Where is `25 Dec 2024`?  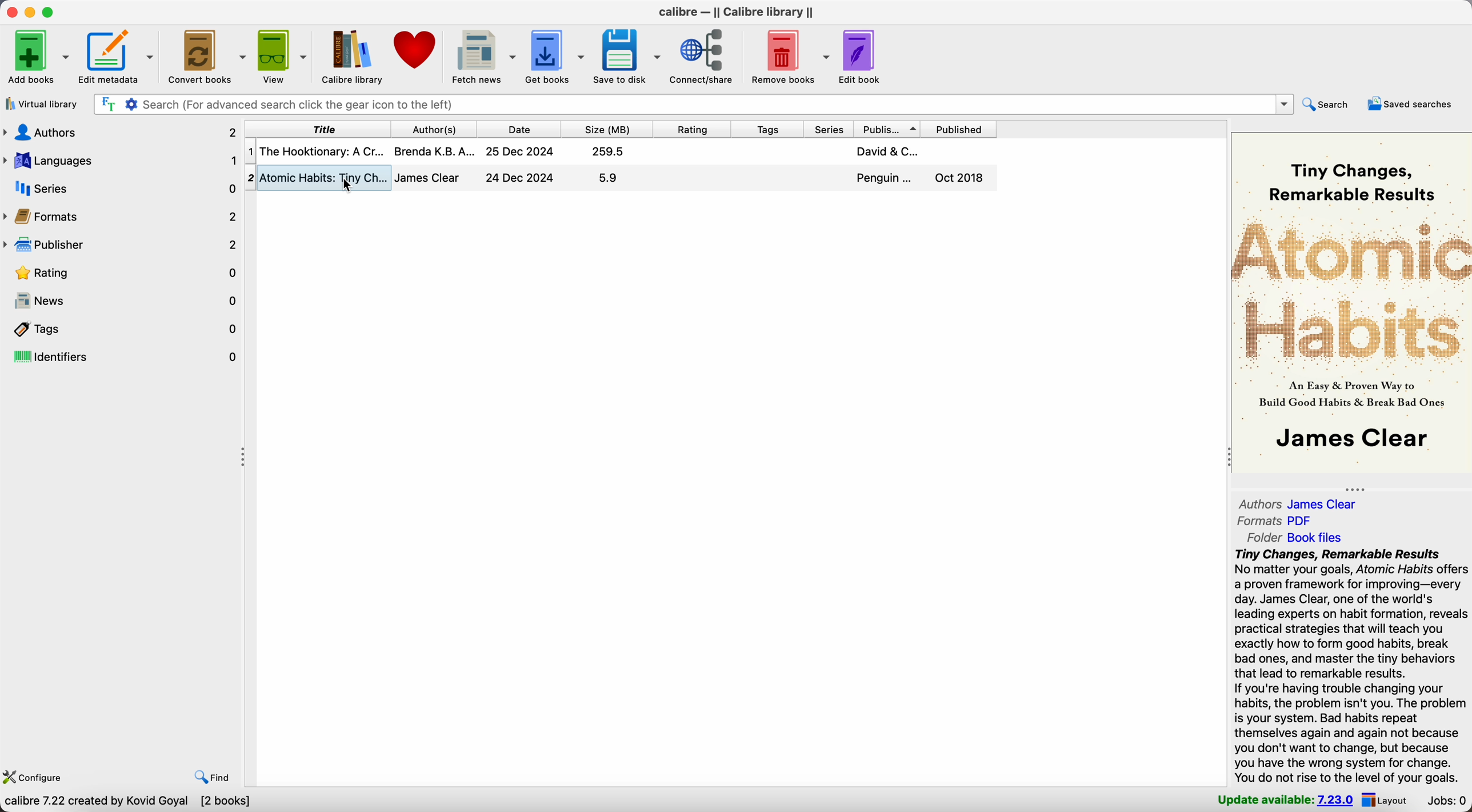
25 Dec 2024 is located at coordinates (520, 152).